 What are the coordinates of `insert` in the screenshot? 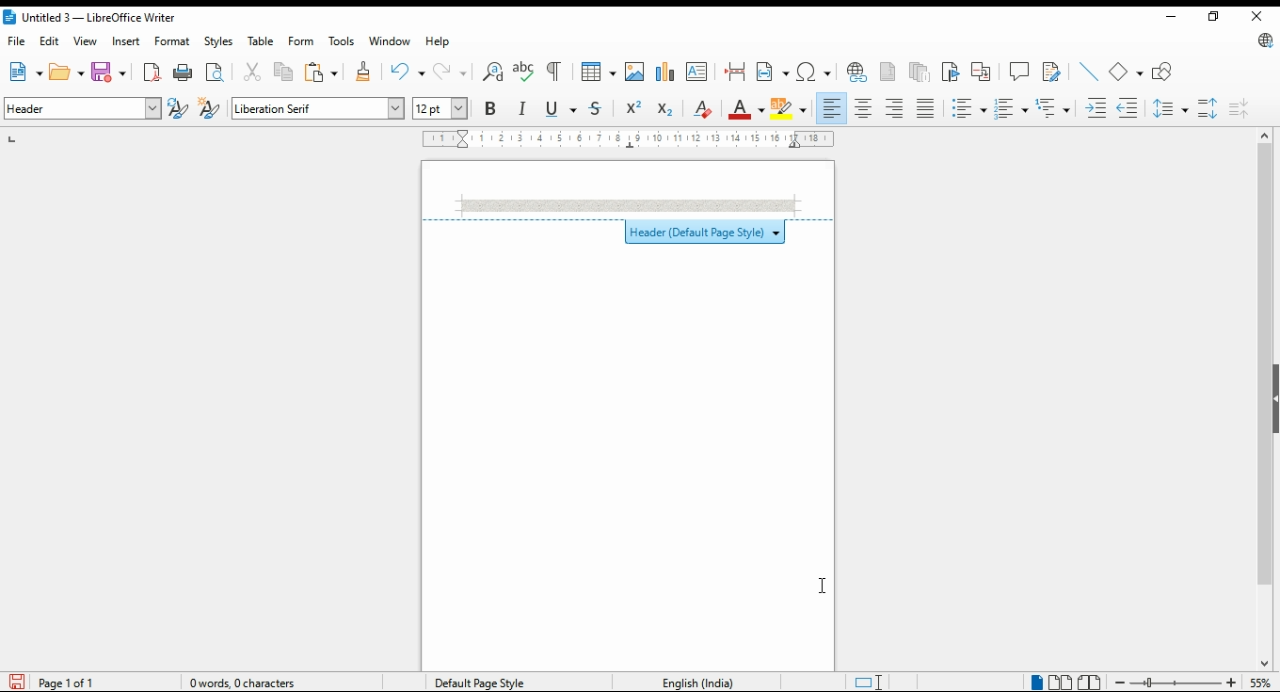 It's located at (125, 41).